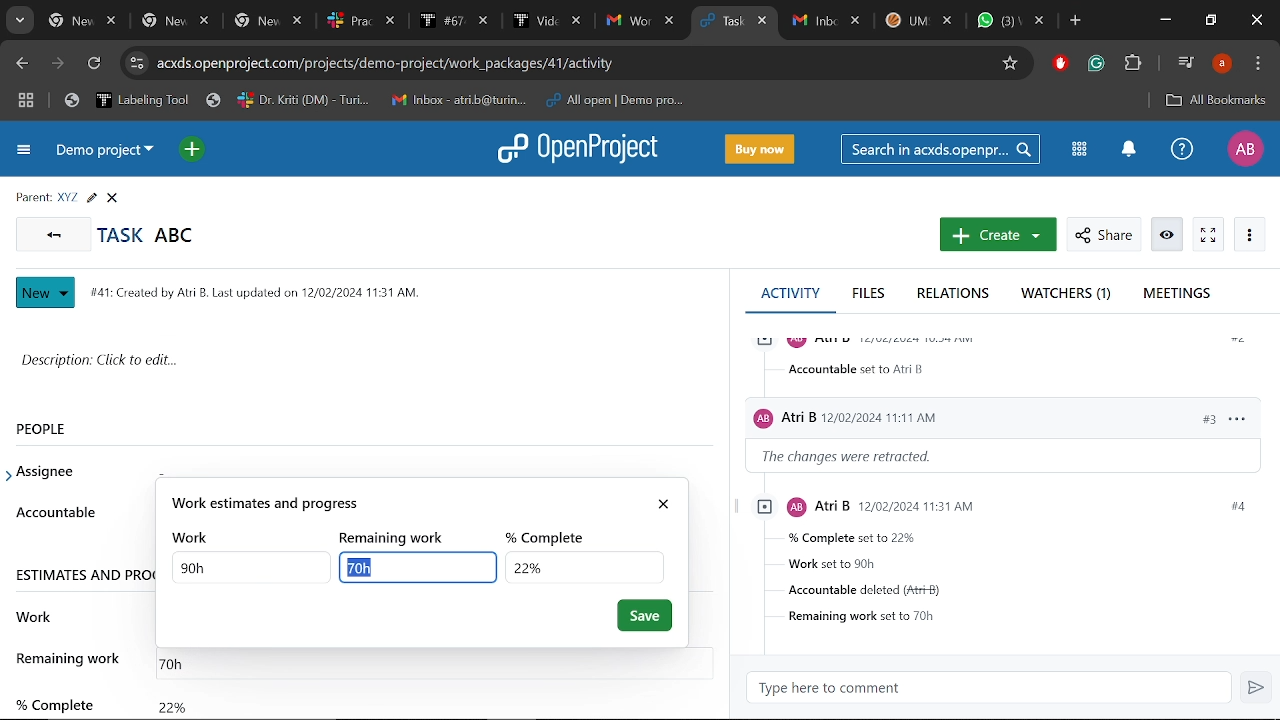  What do you see at coordinates (1164, 22) in the screenshot?
I see `Minimize` at bounding box center [1164, 22].